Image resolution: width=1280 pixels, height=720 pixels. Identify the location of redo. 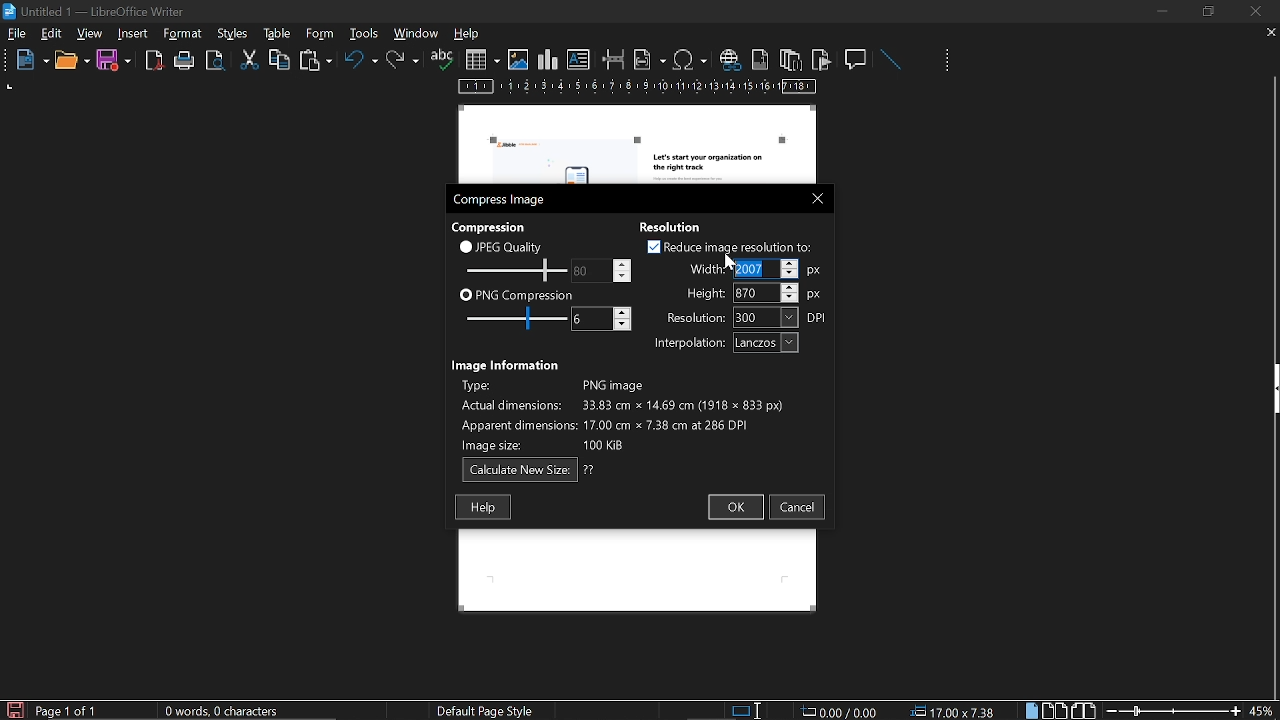
(403, 60).